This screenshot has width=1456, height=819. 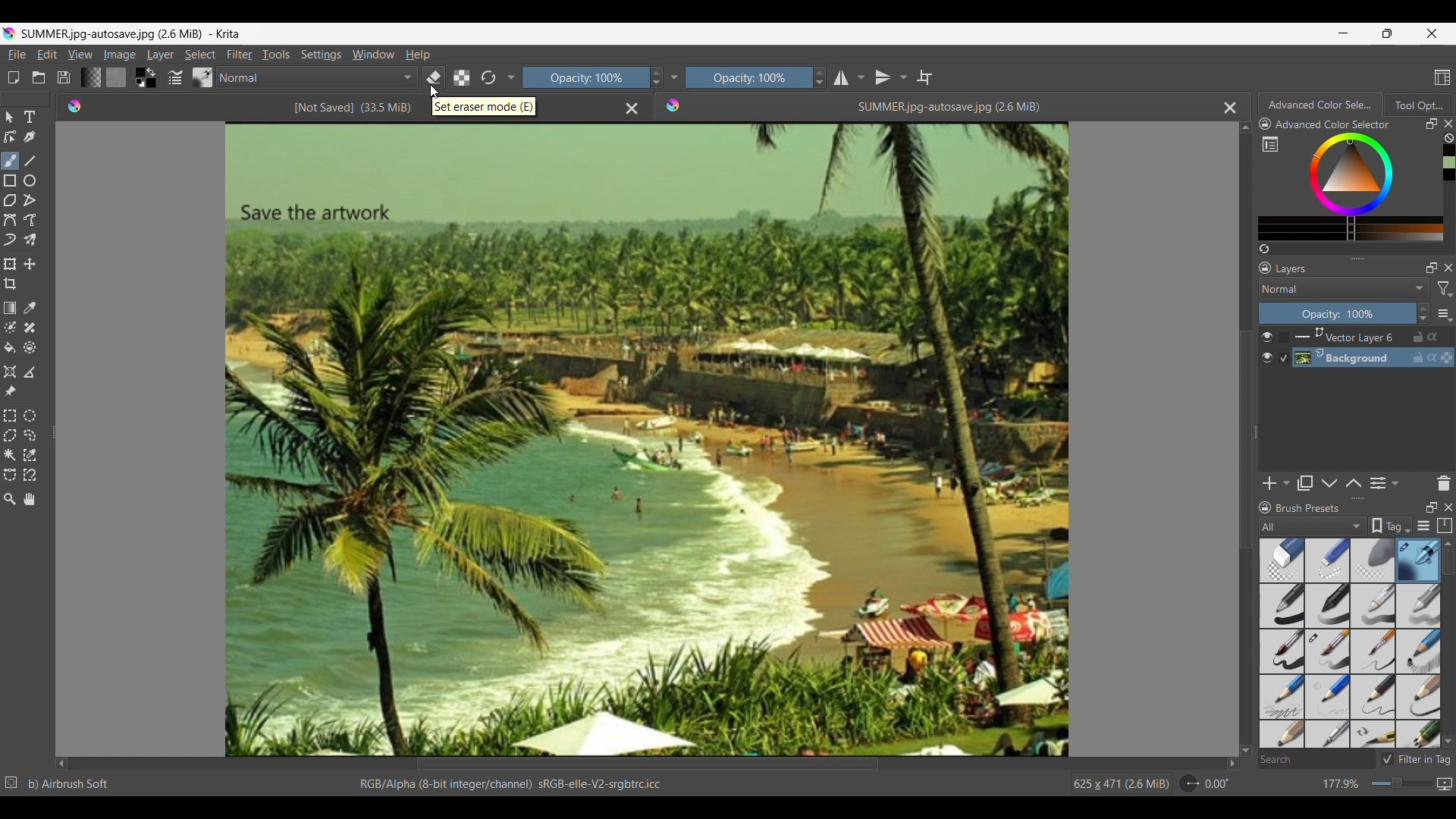 I want to click on Reference images tool, so click(x=10, y=392).